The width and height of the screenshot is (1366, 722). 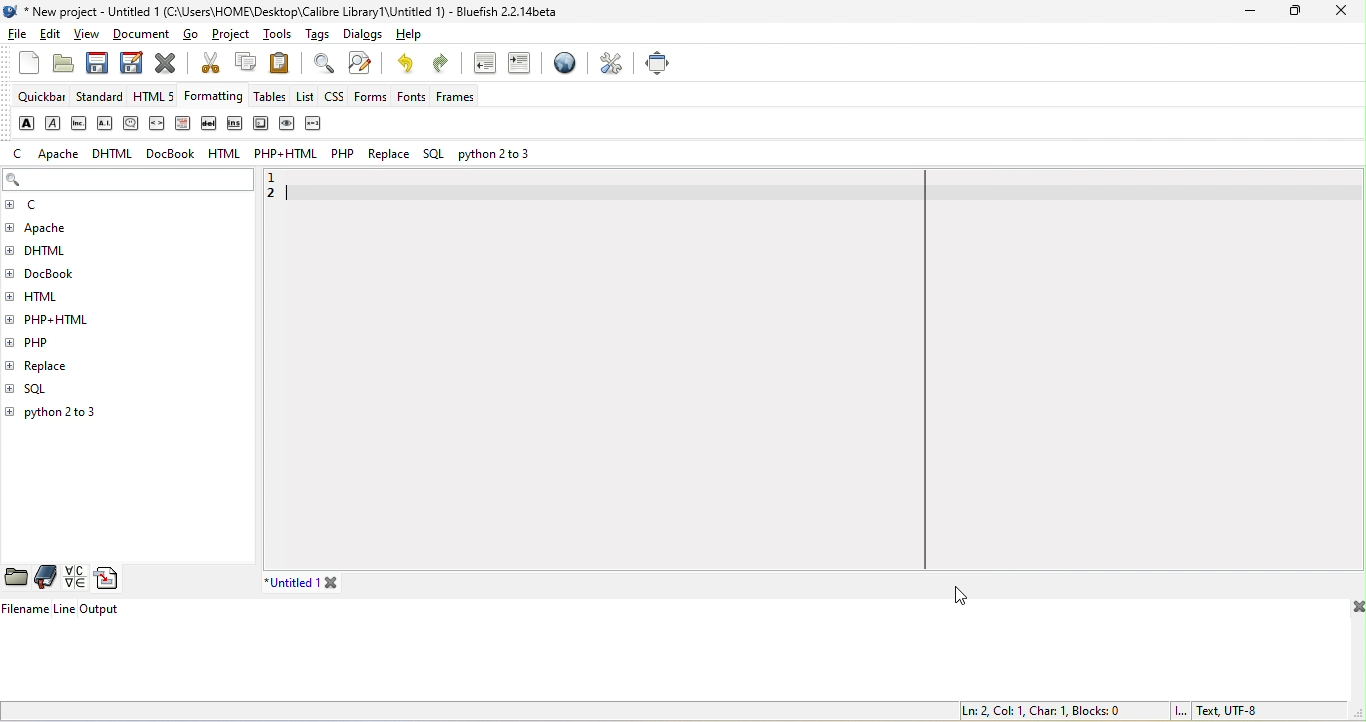 I want to click on php+html, so click(x=65, y=321).